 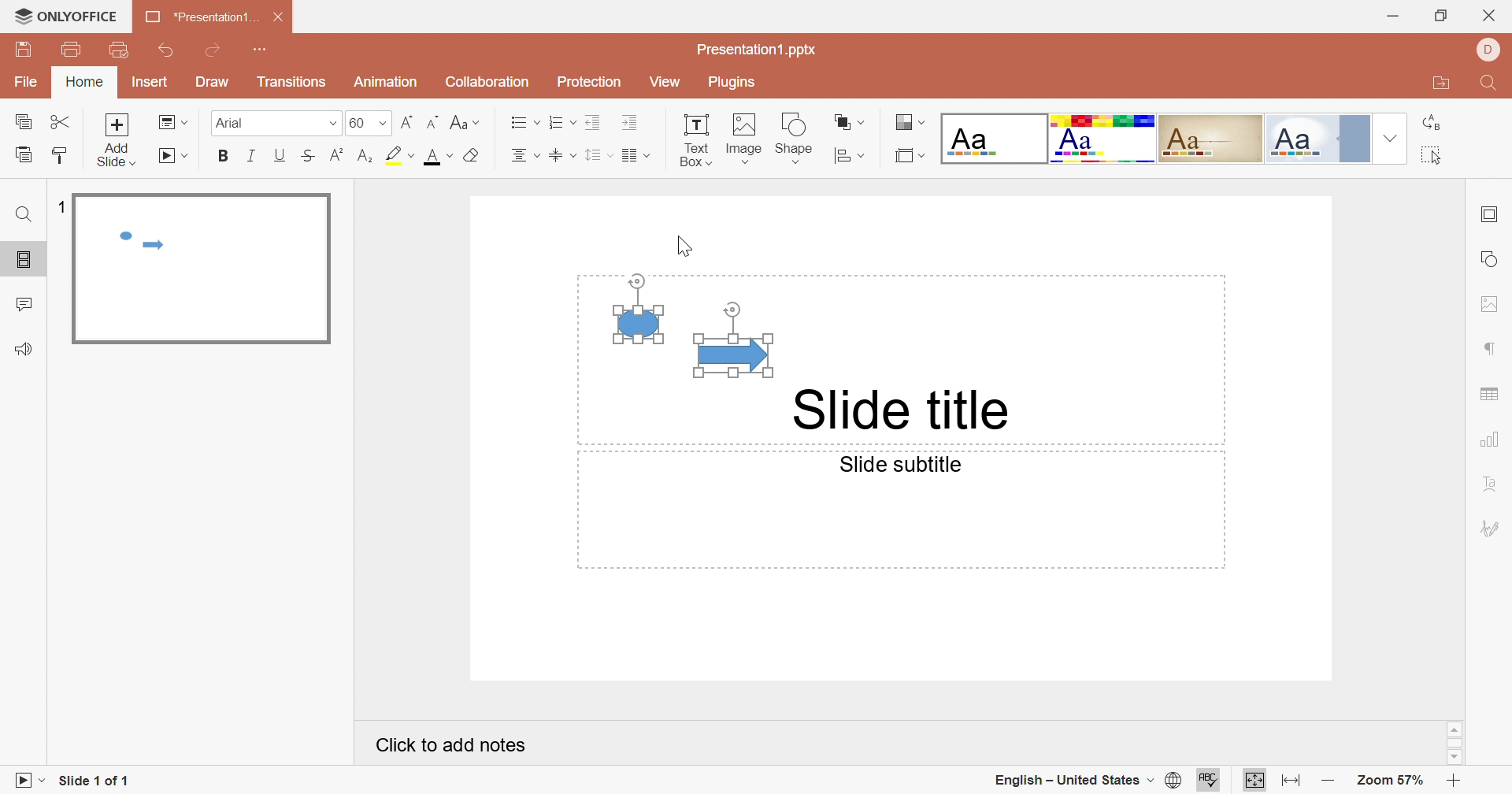 I want to click on Quick Print, so click(x=117, y=50).